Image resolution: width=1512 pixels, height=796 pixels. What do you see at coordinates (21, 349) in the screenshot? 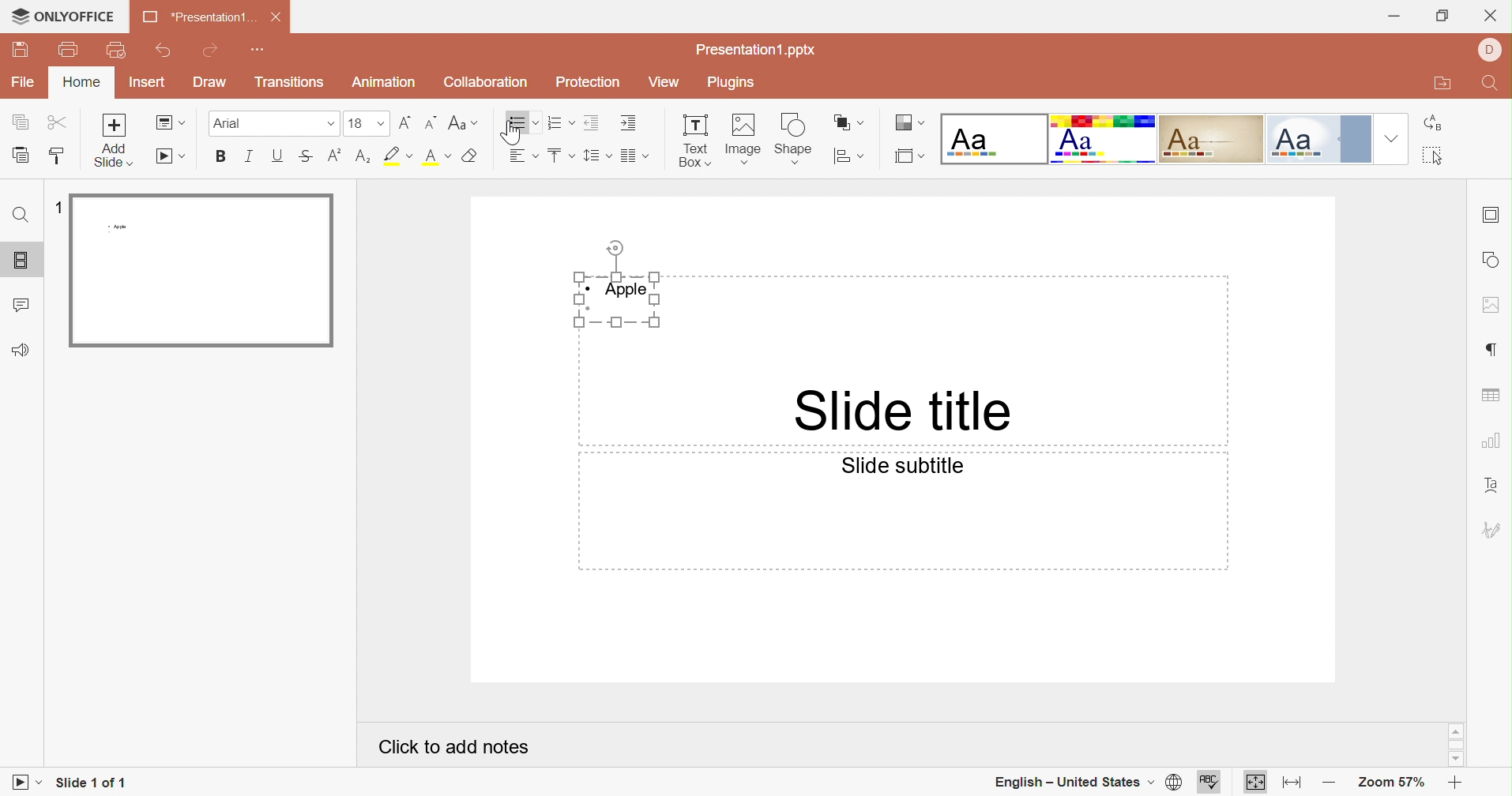
I see `Feedback and Support` at bounding box center [21, 349].